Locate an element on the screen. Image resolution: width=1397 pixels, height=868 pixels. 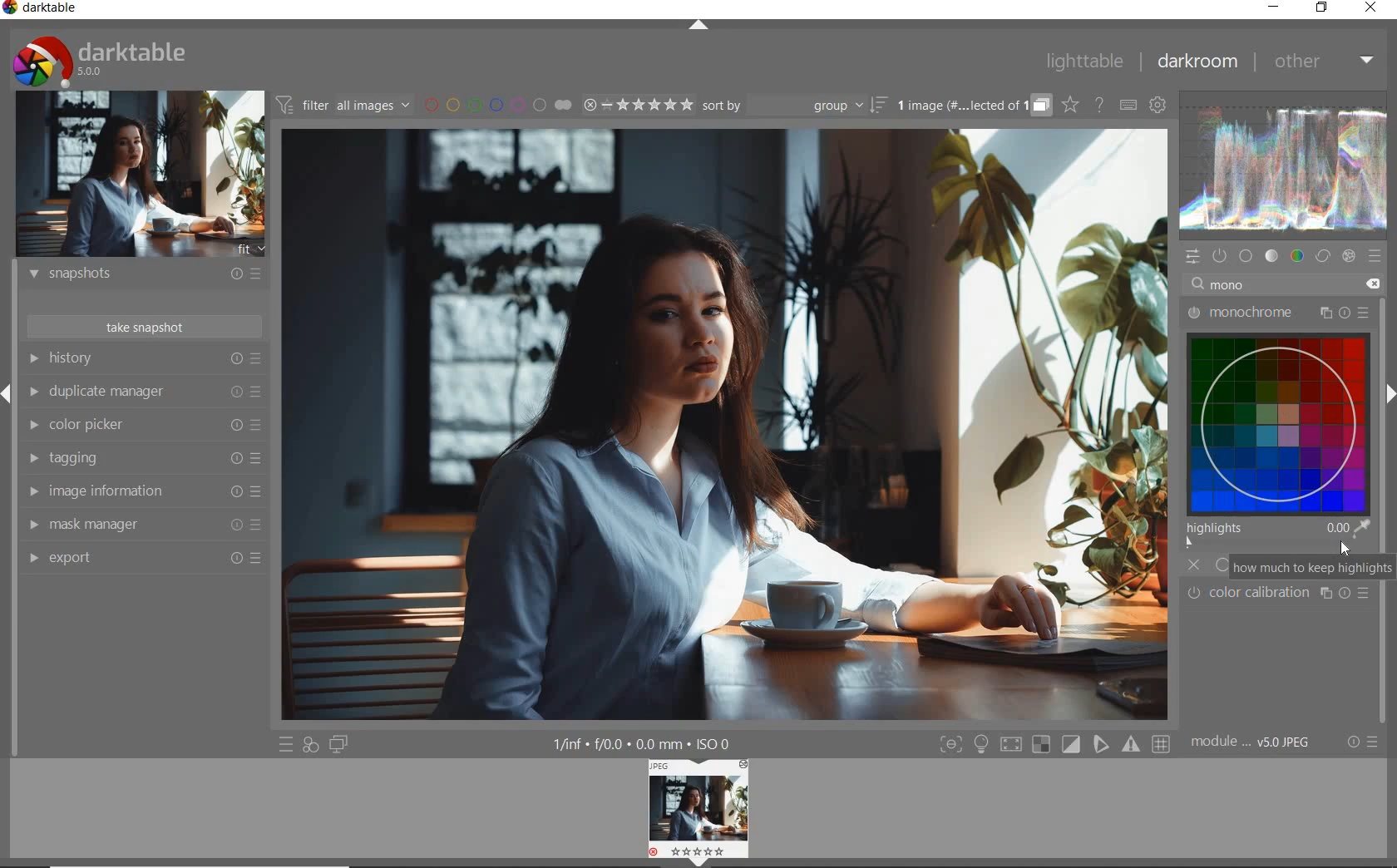
history is located at coordinates (143, 358).